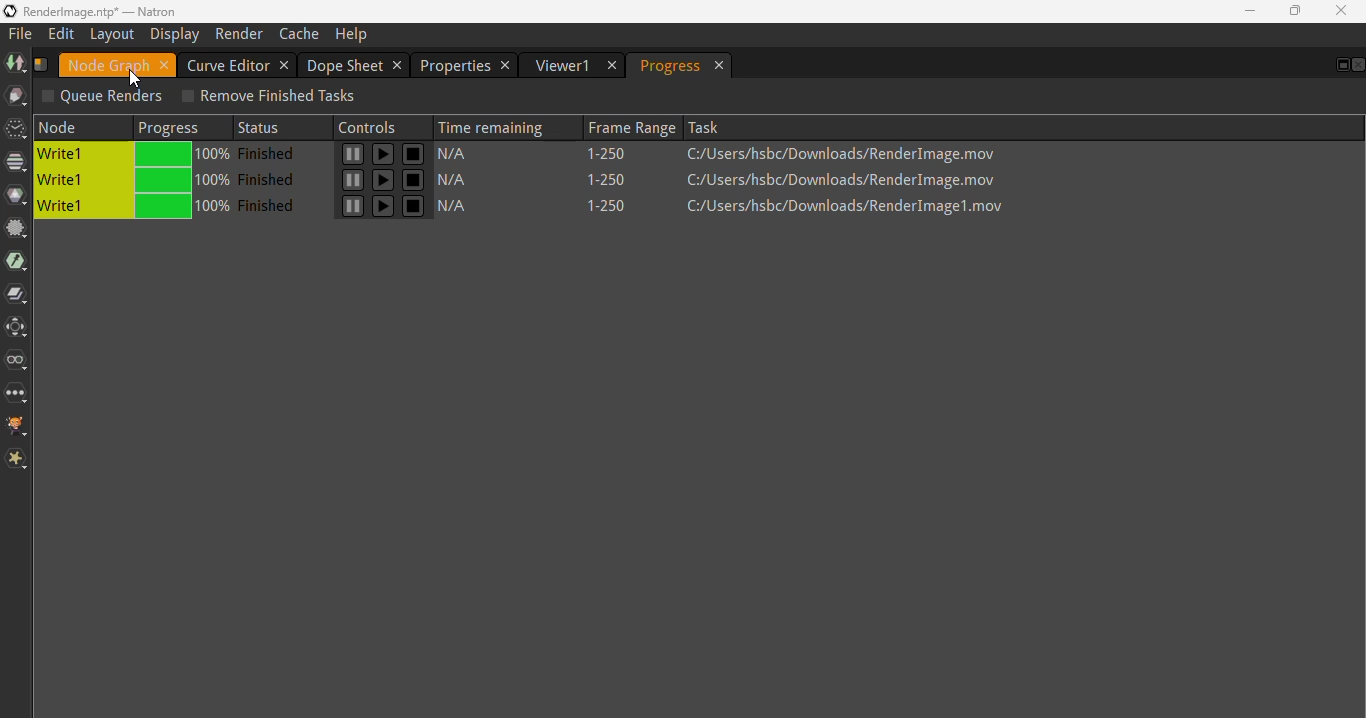 This screenshot has height=718, width=1366. What do you see at coordinates (399, 65) in the screenshot?
I see `close tab` at bounding box center [399, 65].